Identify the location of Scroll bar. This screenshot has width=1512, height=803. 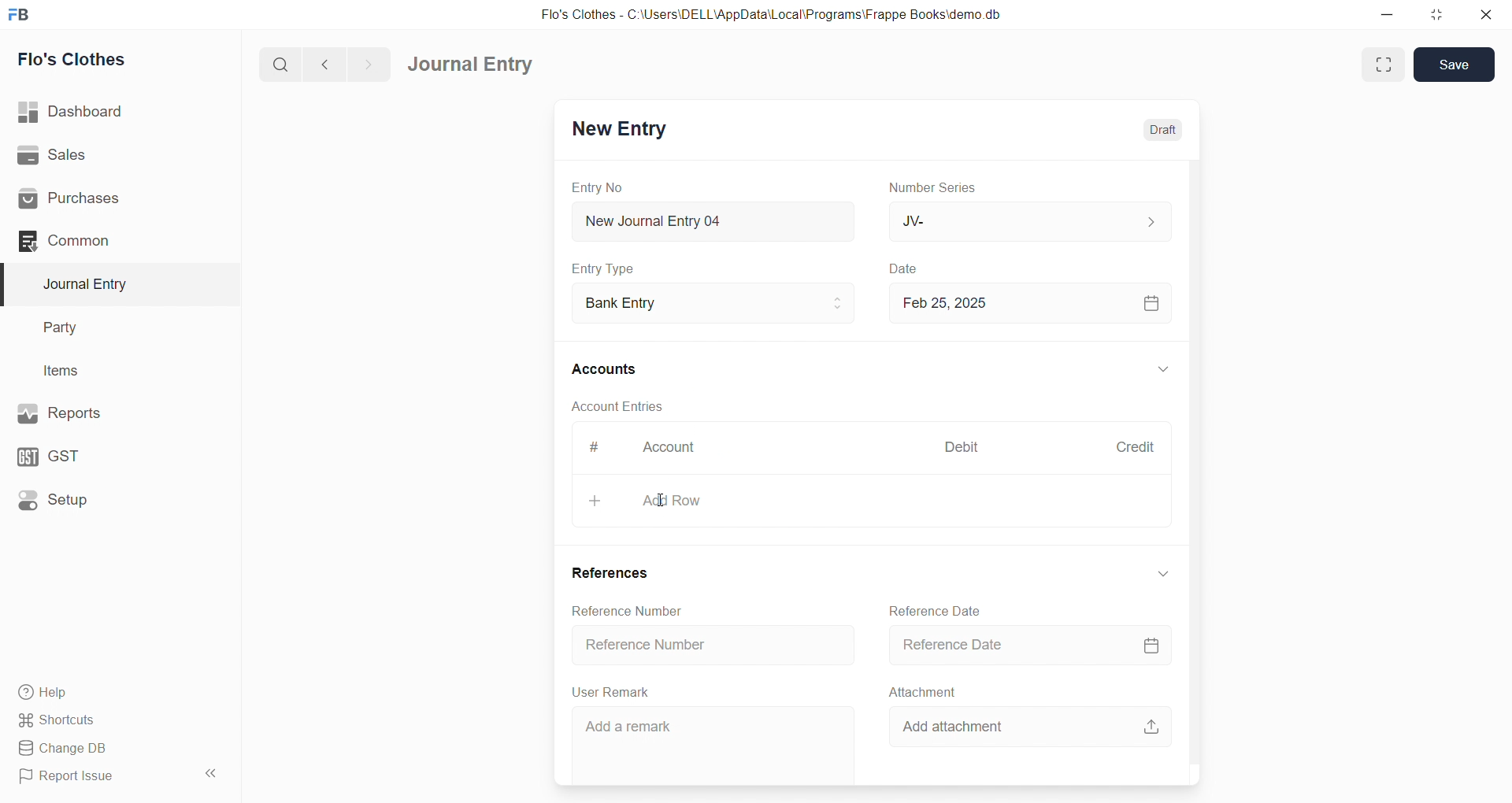
(1203, 450).